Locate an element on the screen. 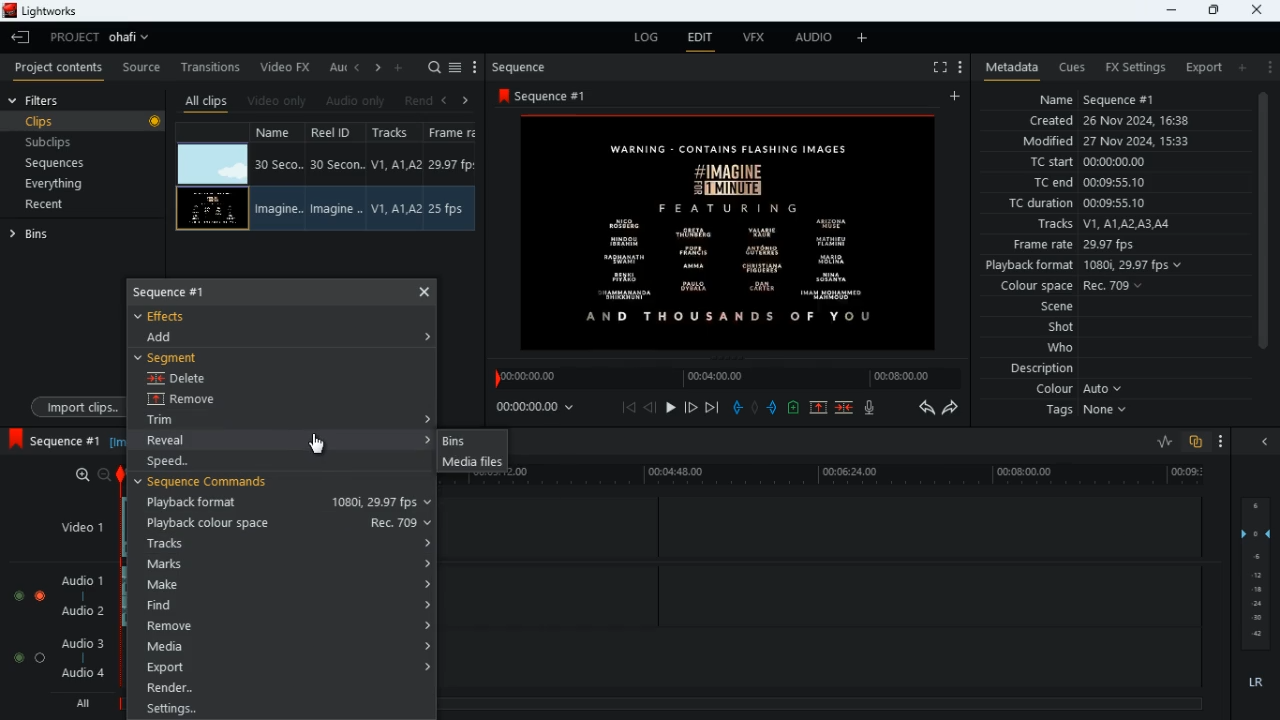 The width and height of the screenshot is (1280, 720). video is located at coordinates (212, 208).